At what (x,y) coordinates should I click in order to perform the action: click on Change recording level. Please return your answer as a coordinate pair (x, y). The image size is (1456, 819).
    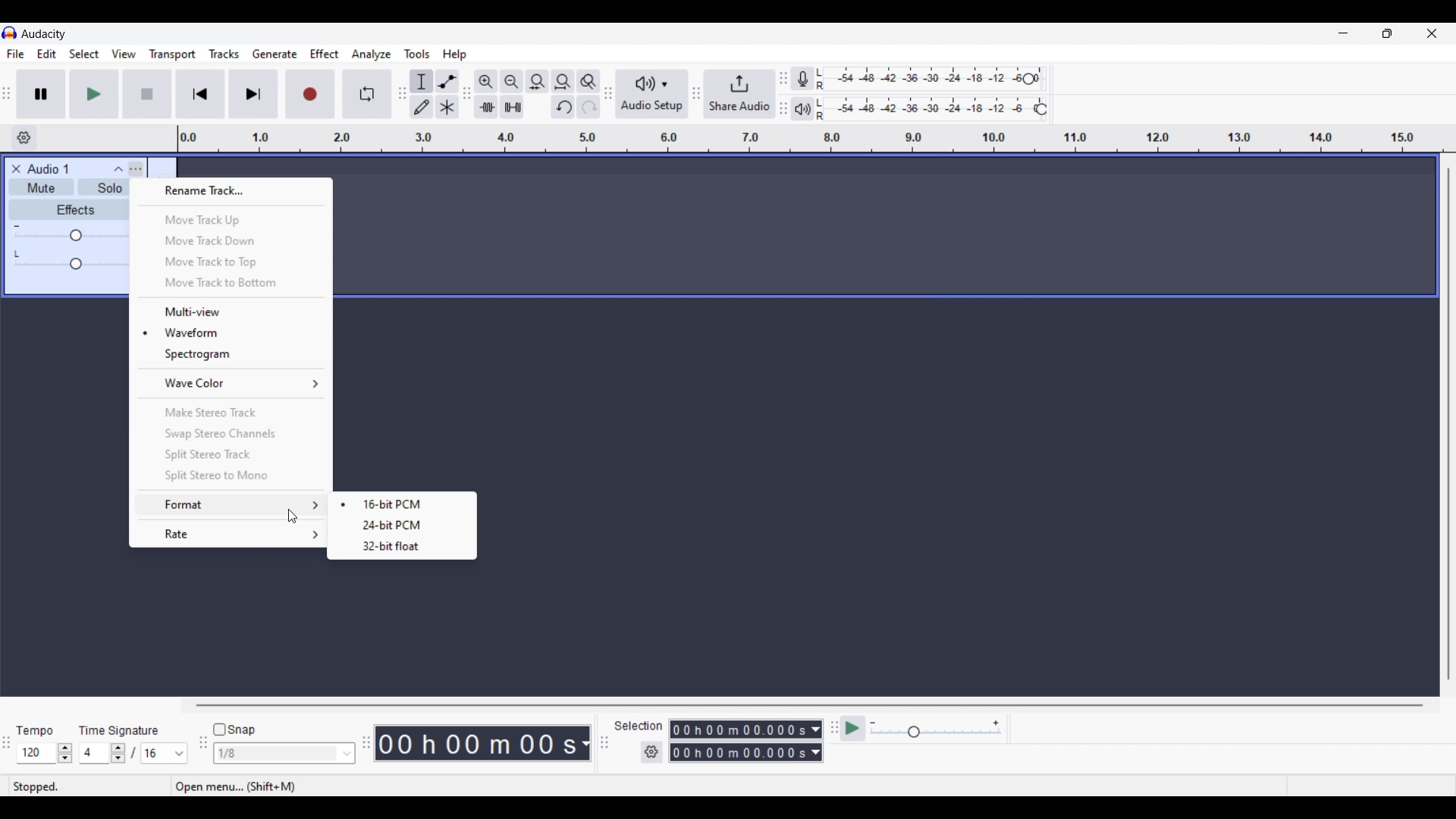
    Looking at the image, I should click on (1028, 78).